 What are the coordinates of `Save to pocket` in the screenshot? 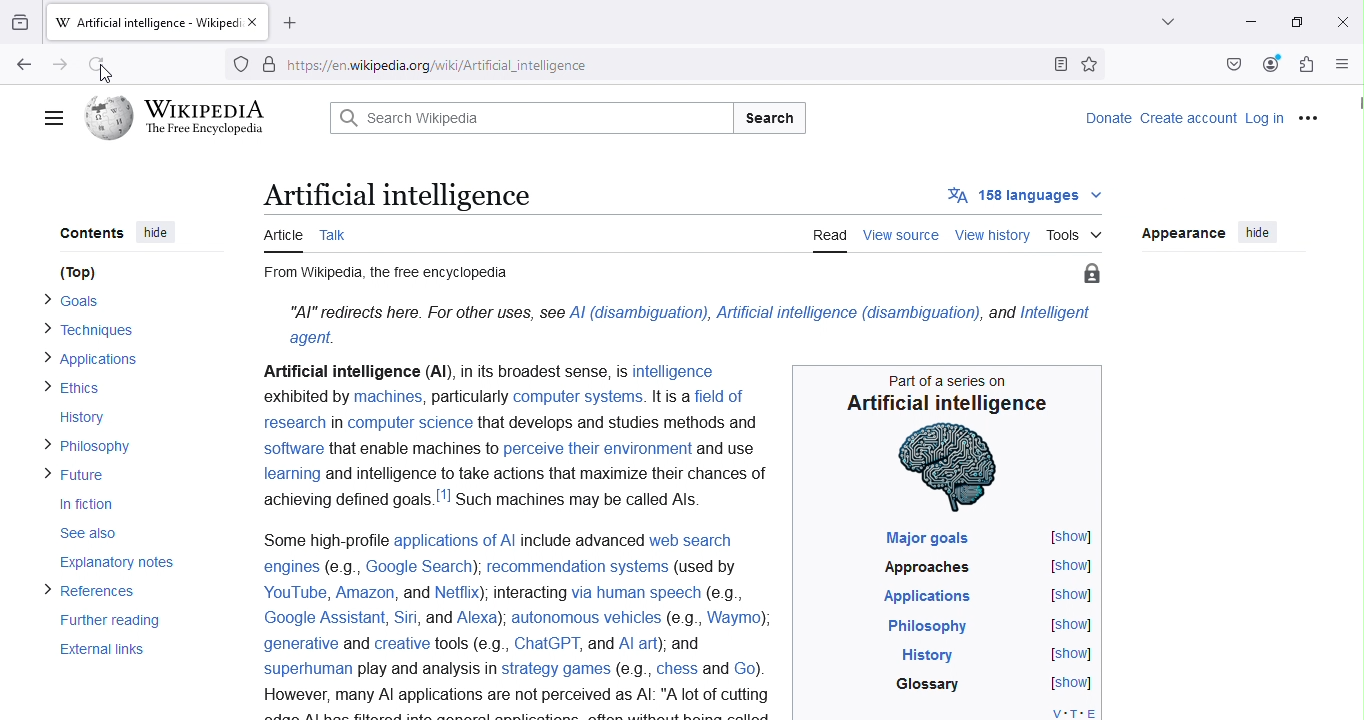 It's located at (1231, 65).